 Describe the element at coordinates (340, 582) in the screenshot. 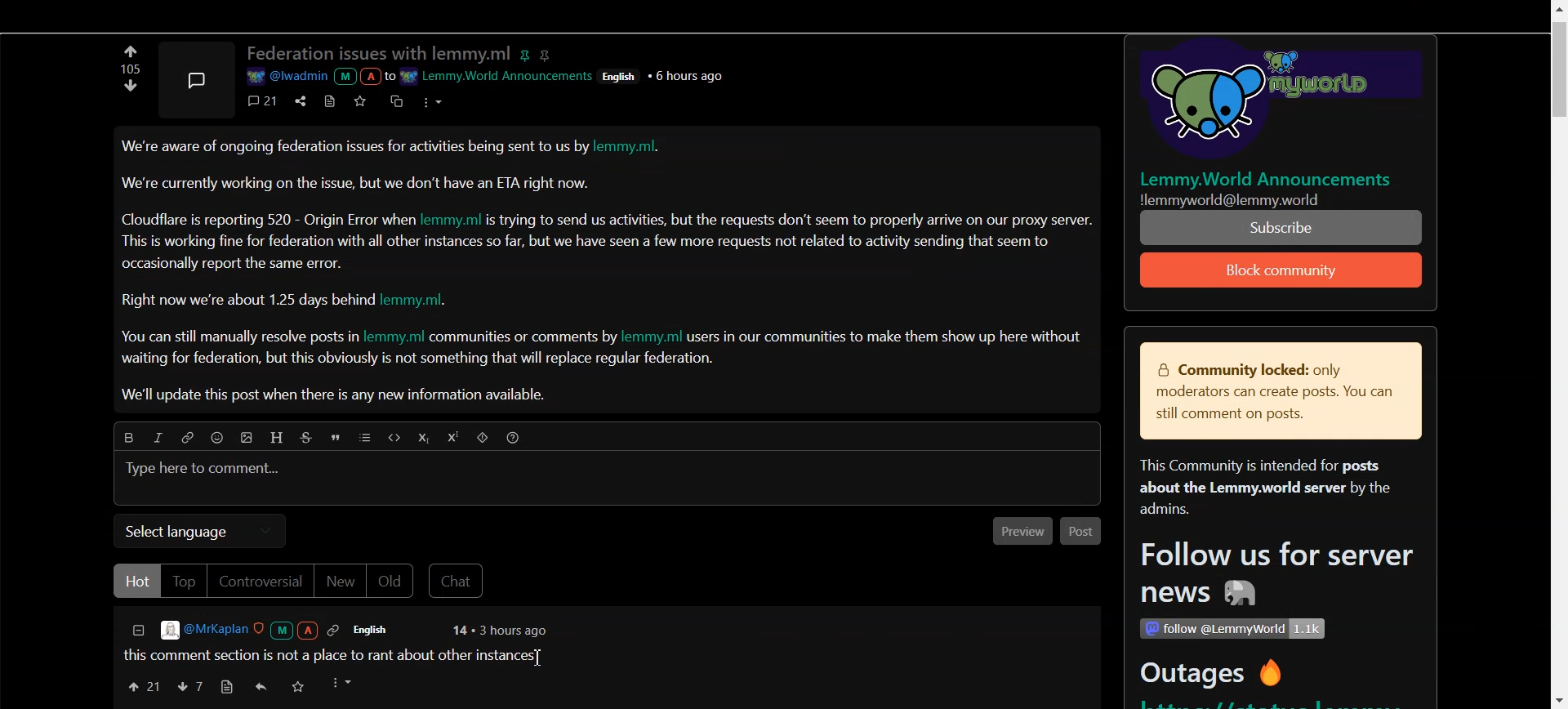

I see `New` at that location.